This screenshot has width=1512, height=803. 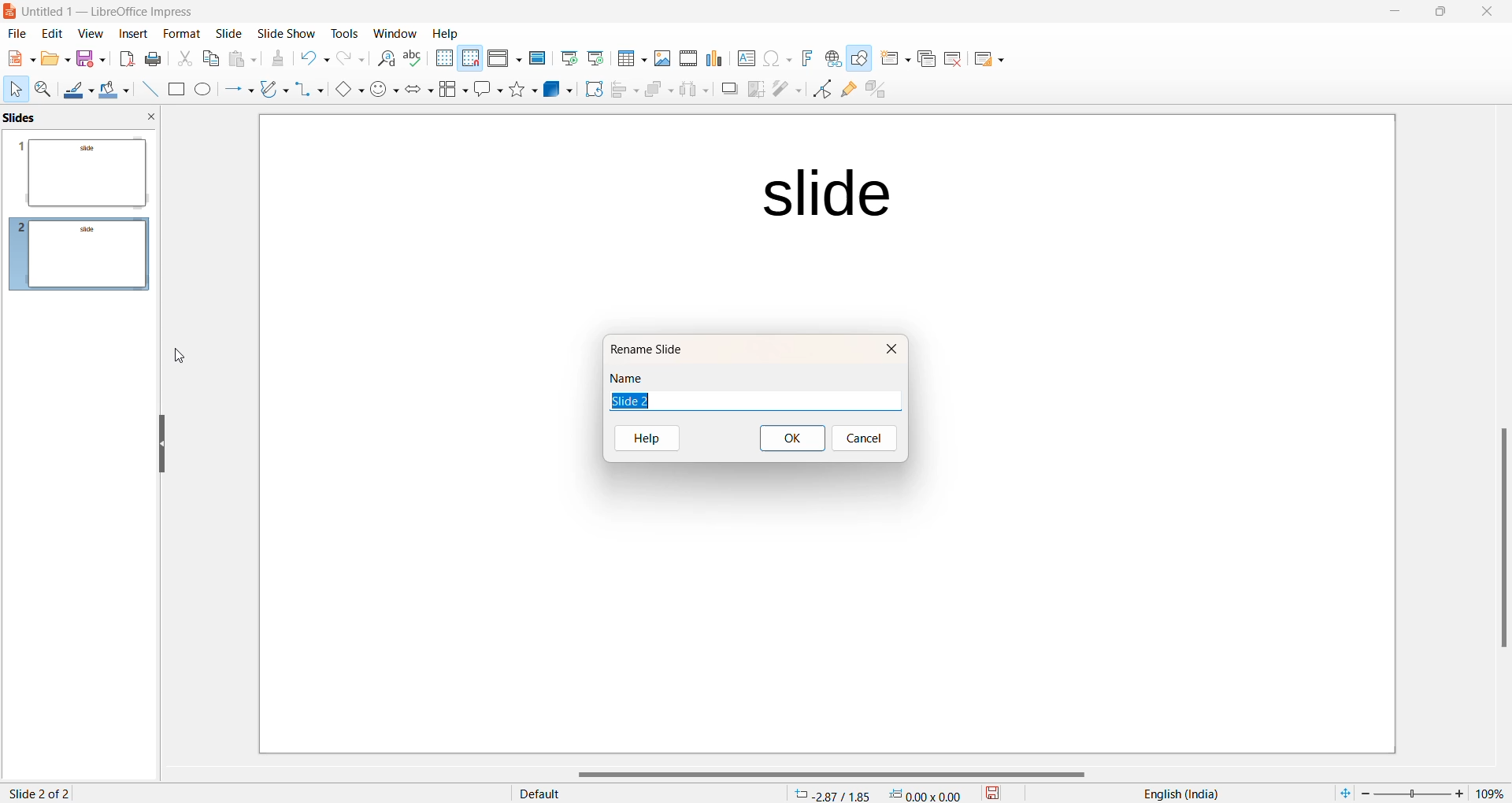 What do you see at coordinates (864, 438) in the screenshot?
I see `cancel` at bounding box center [864, 438].